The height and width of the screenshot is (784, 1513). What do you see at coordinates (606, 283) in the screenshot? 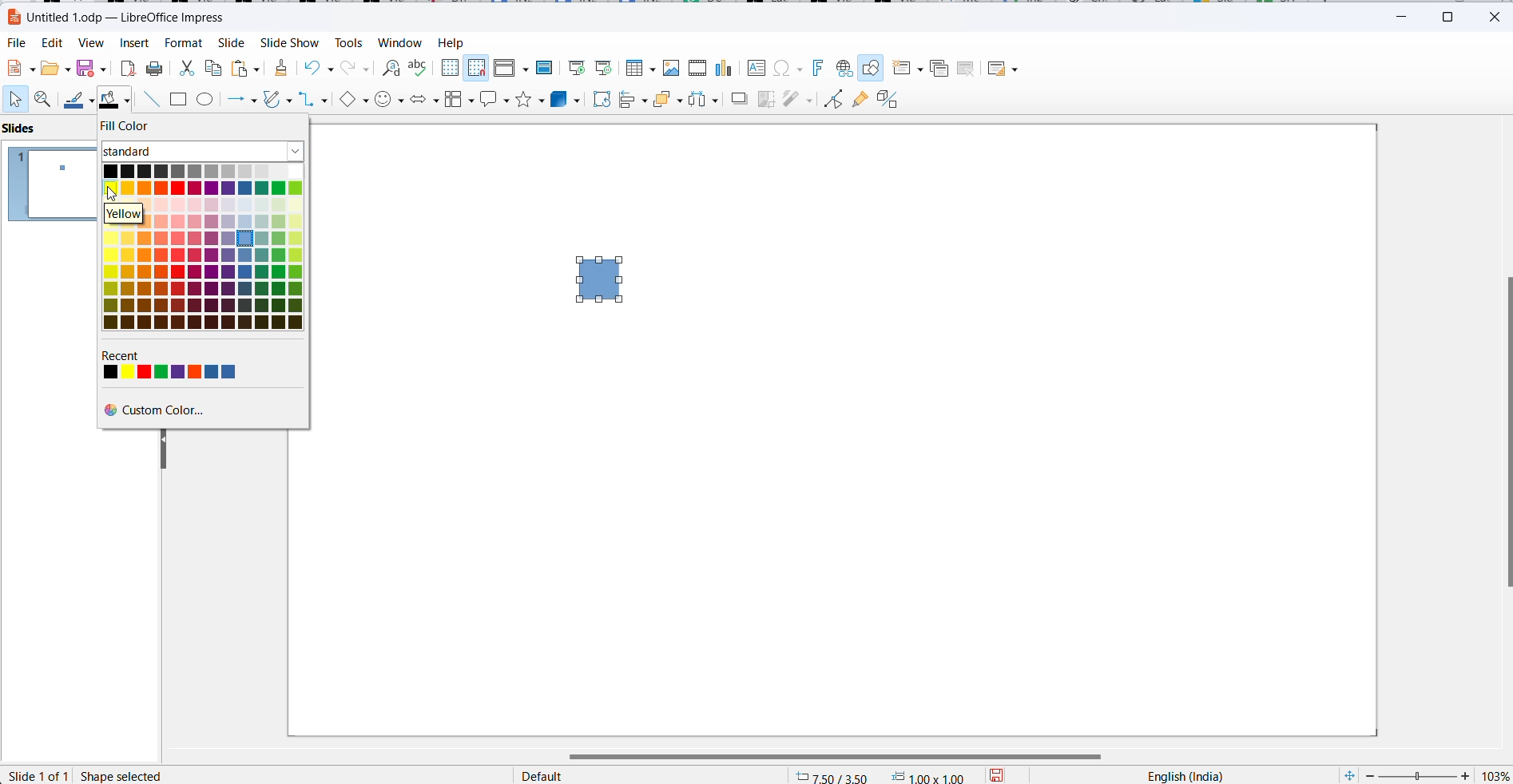
I see `rectangle` at bounding box center [606, 283].